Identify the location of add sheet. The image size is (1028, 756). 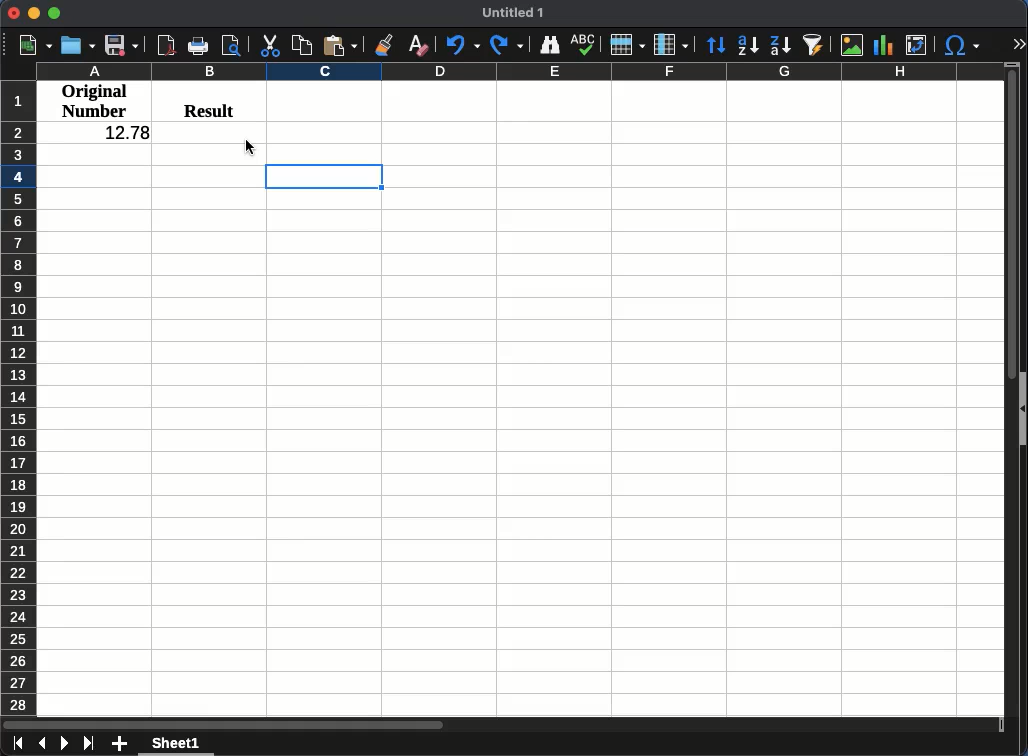
(120, 743).